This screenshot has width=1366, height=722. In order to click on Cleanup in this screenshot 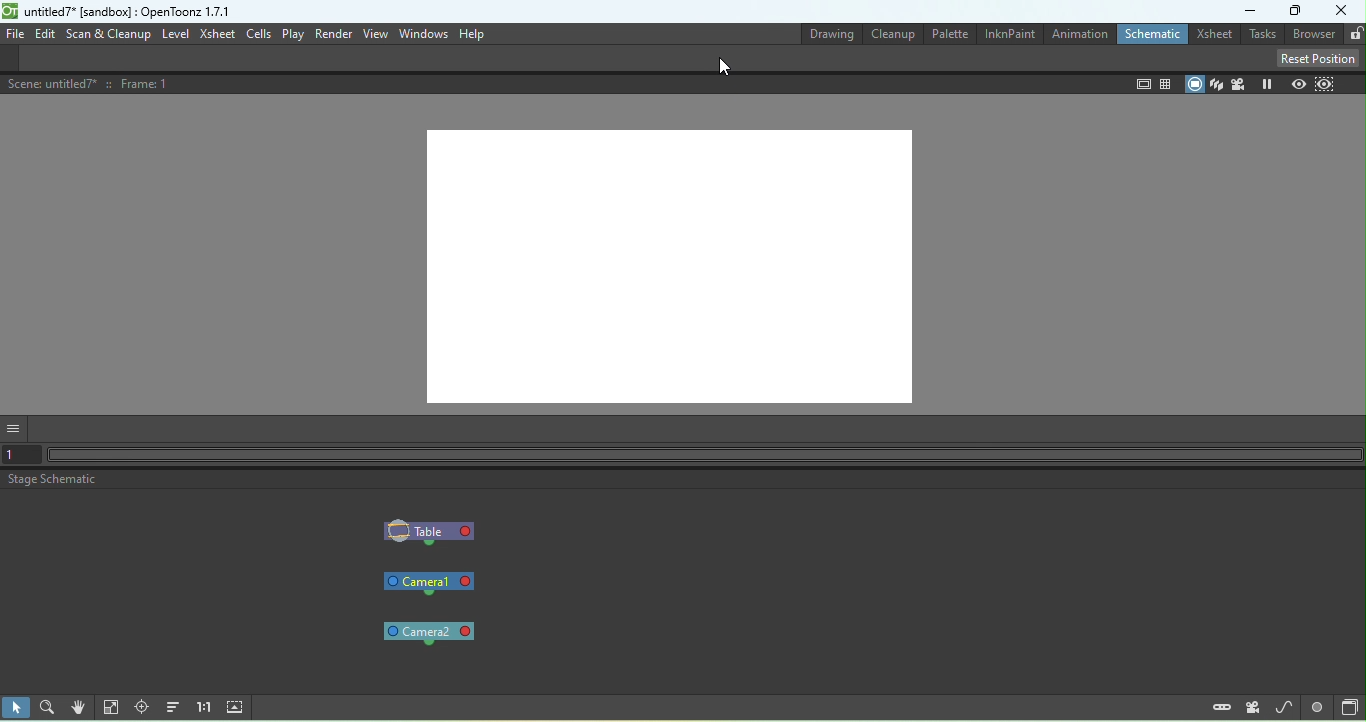, I will do `click(893, 36)`.